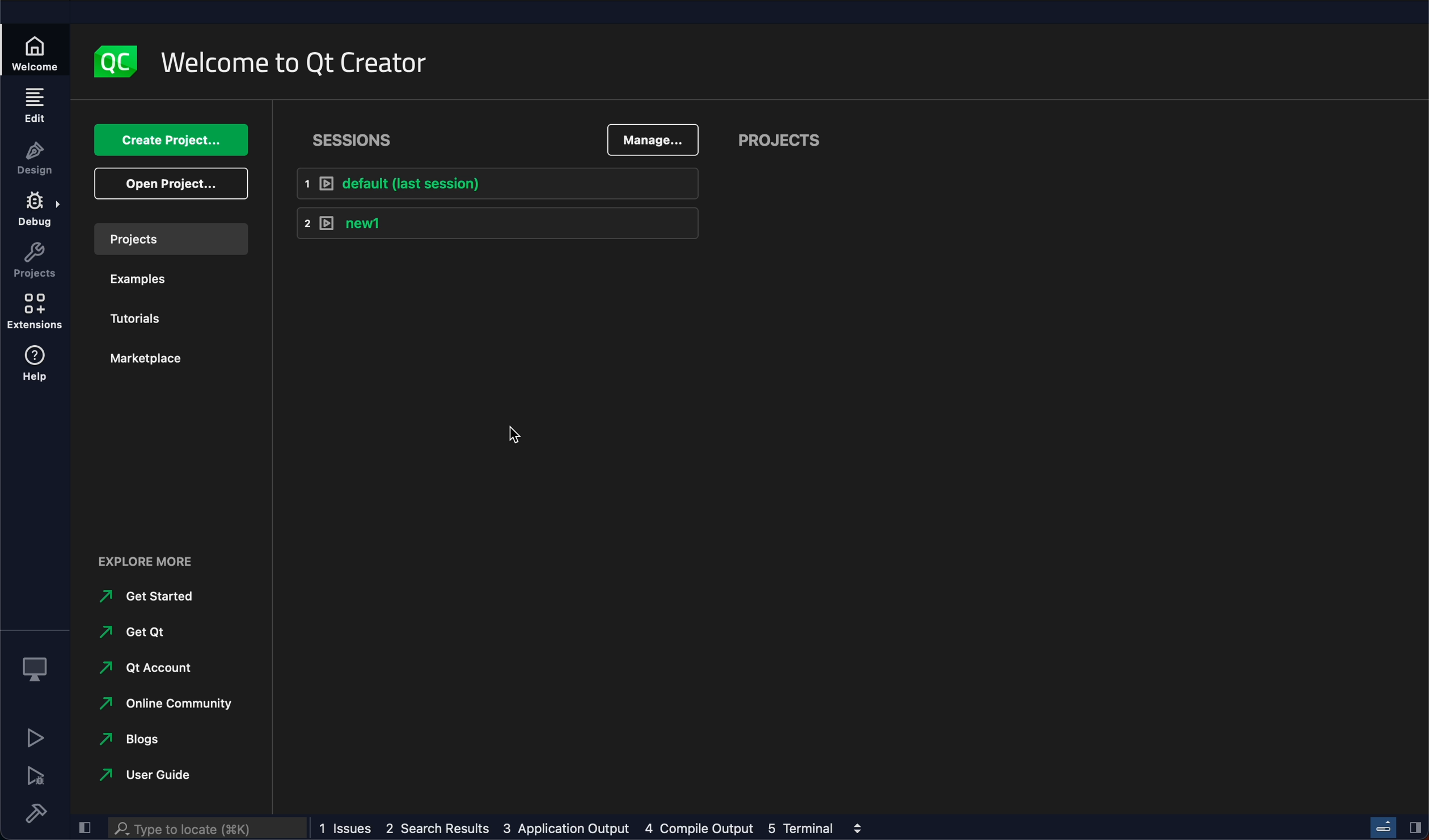 Image resolution: width=1429 pixels, height=840 pixels. Describe the element at coordinates (169, 239) in the screenshot. I see `projects` at that location.